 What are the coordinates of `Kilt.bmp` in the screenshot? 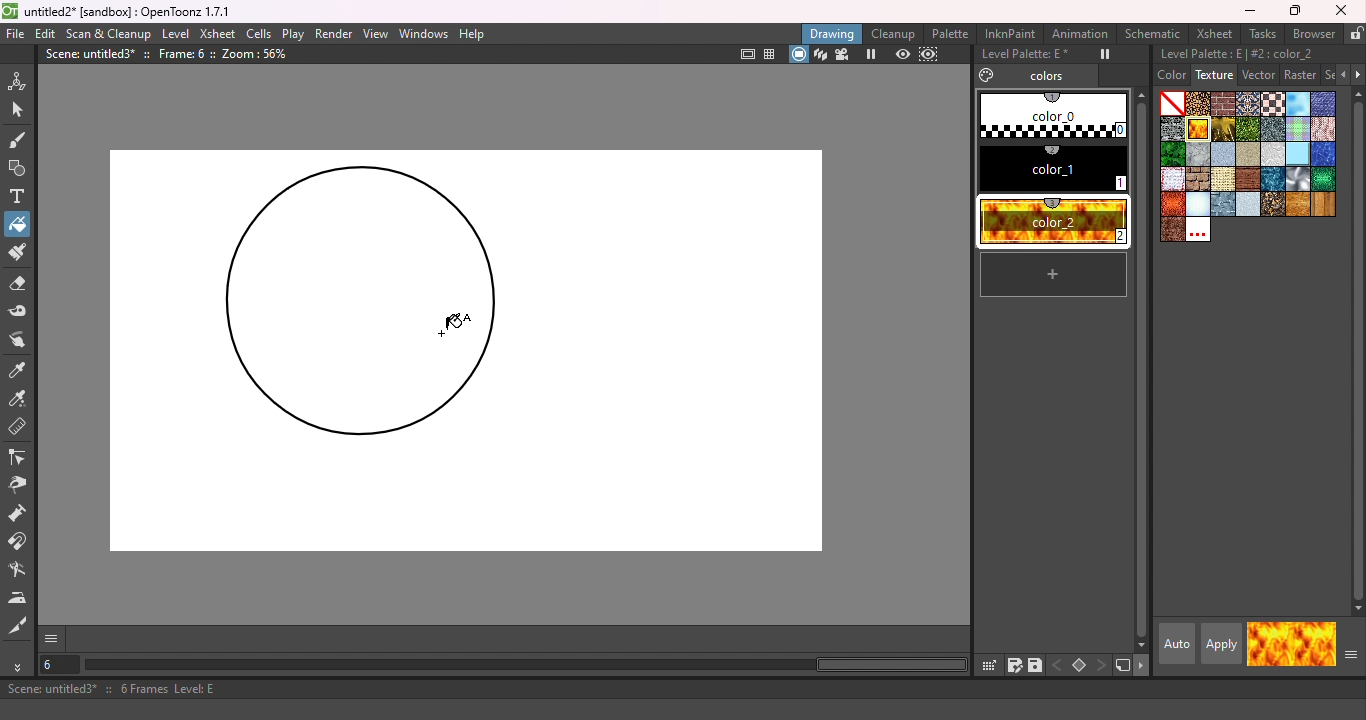 It's located at (1297, 129).